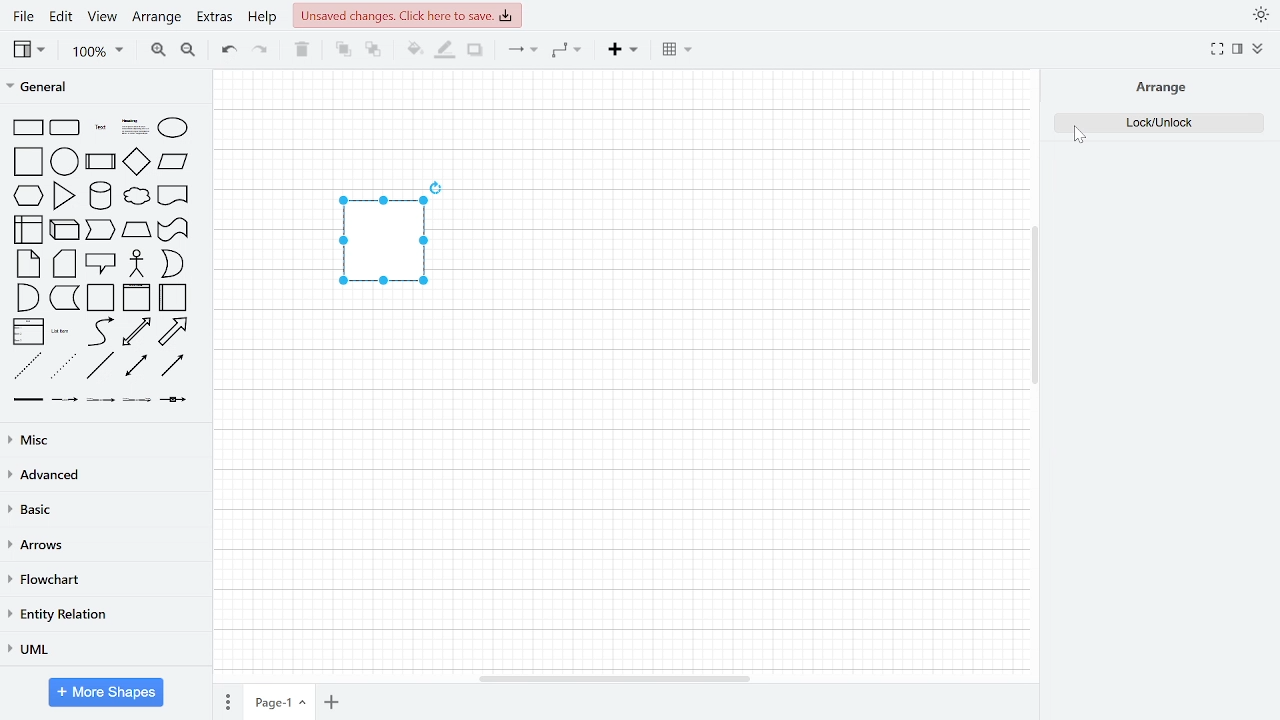  What do you see at coordinates (262, 19) in the screenshot?
I see `help` at bounding box center [262, 19].